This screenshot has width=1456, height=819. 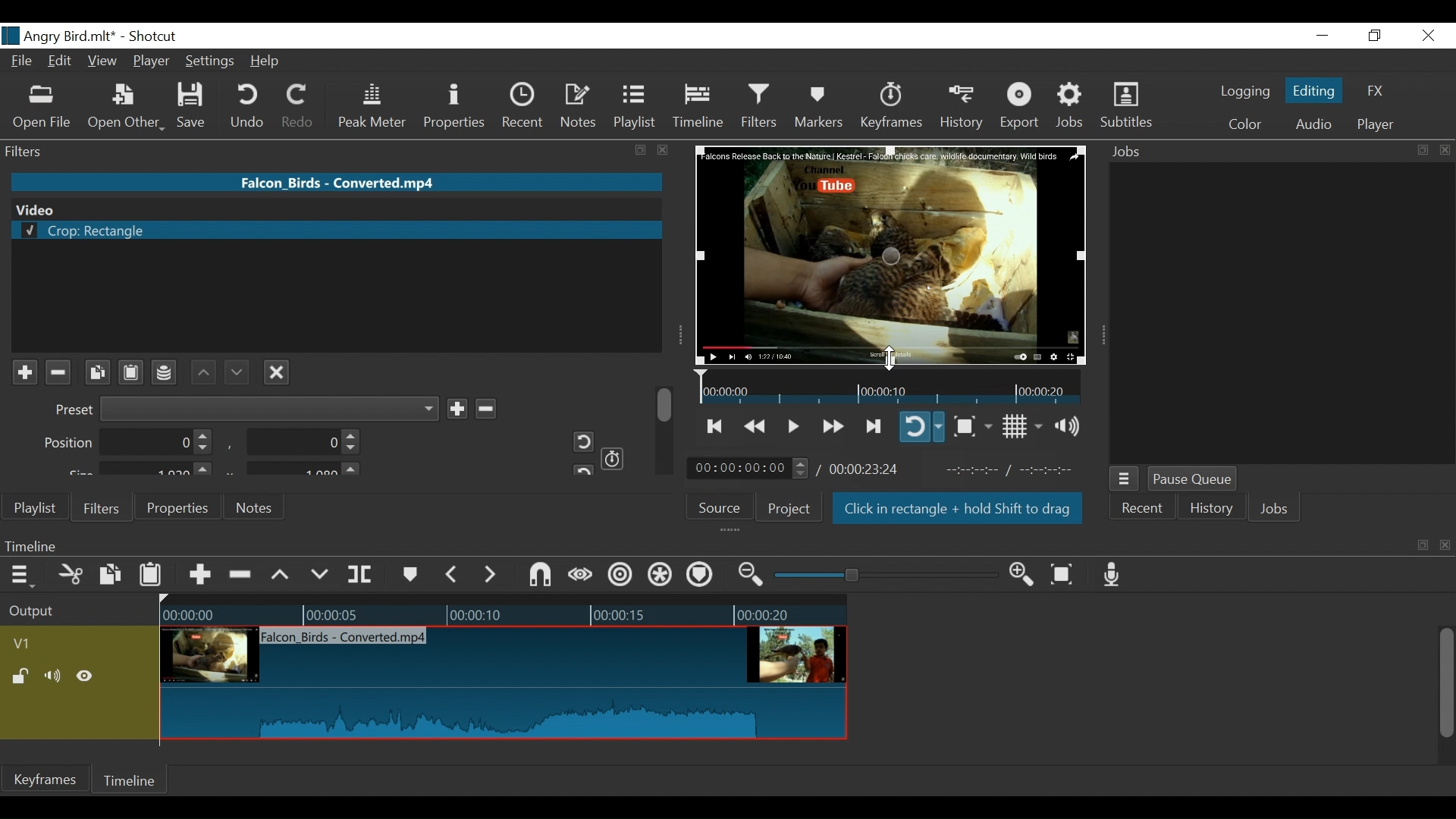 What do you see at coordinates (1275, 510) in the screenshot?
I see `Jobs` at bounding box center [1275, 510].